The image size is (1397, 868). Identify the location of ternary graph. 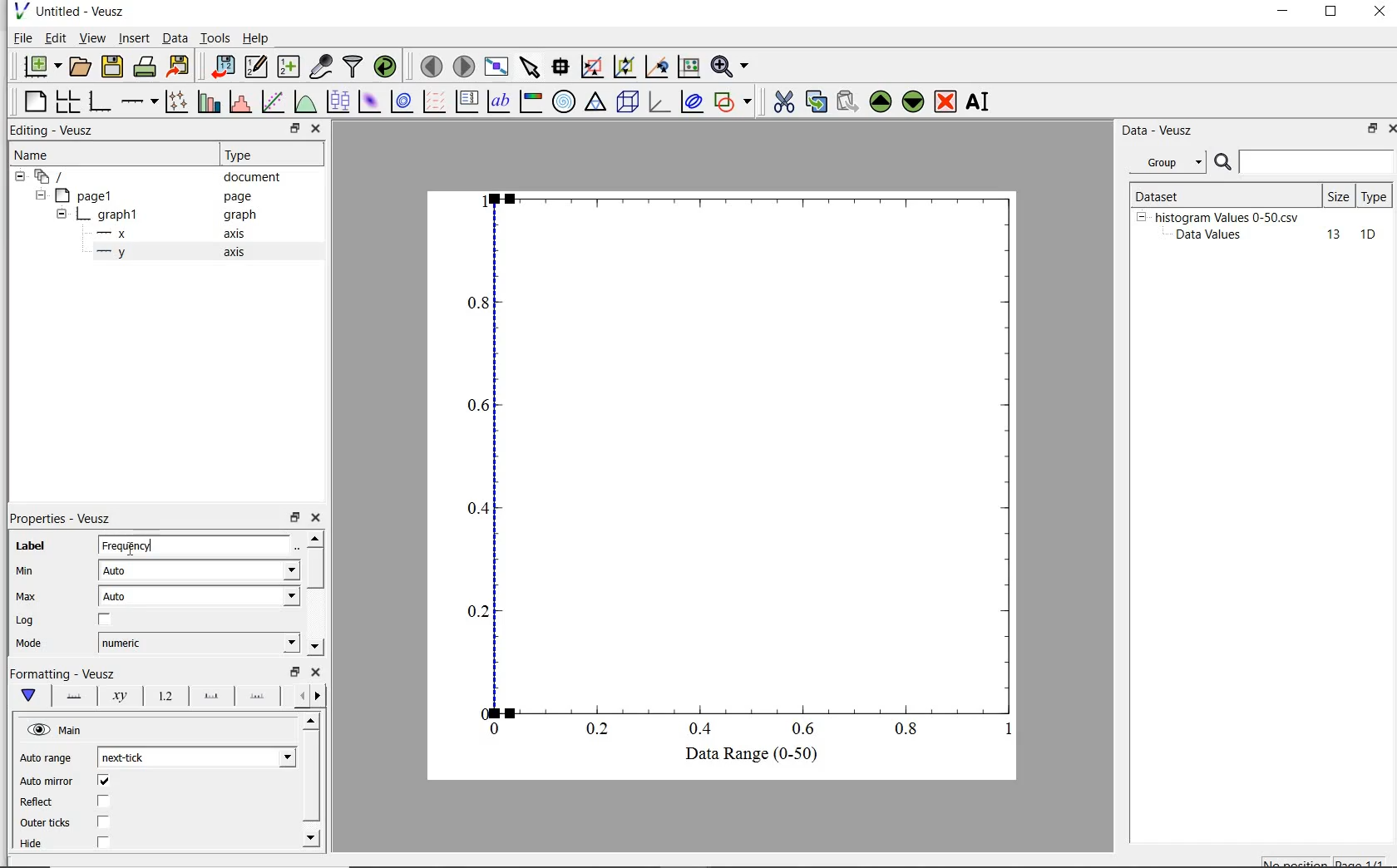
(596, 103).